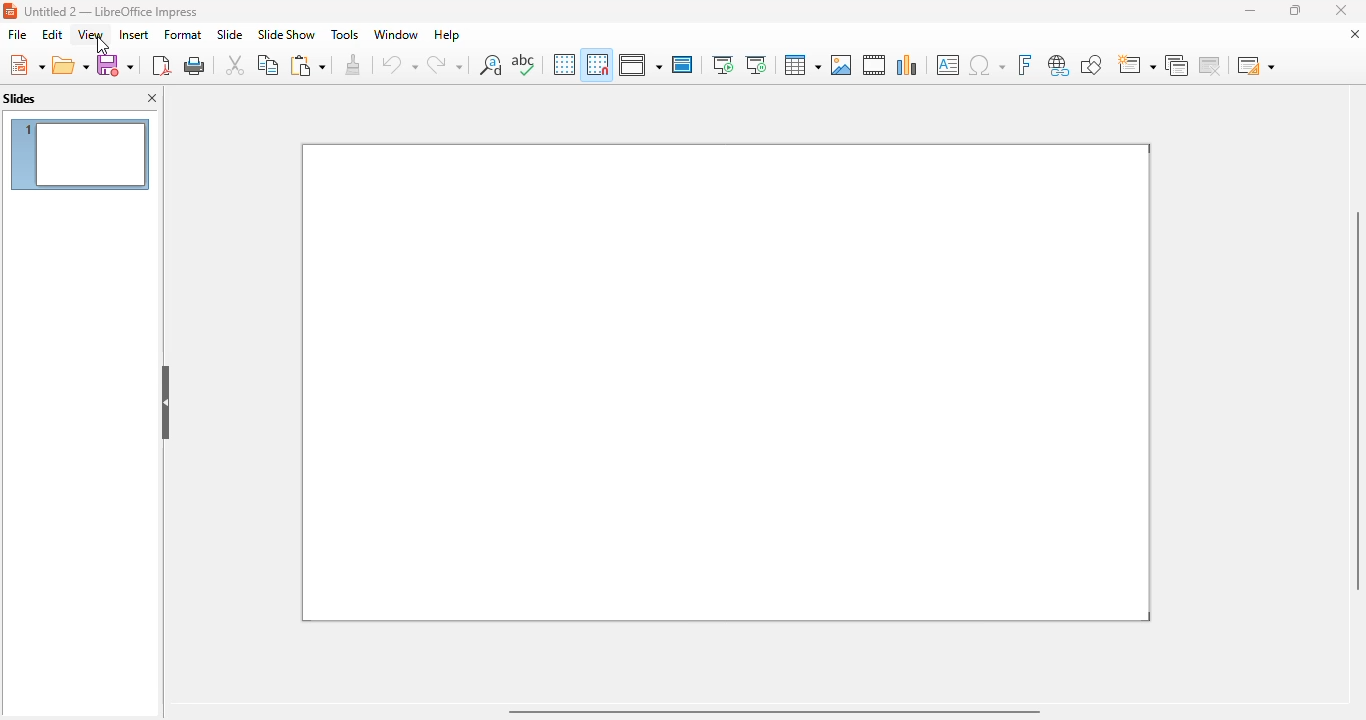 The width and height of the screenshot is (1366, 720). What do you see at coordinates (948, 65) in the screenshot?
I see `insert text box` at bounding box center [948, 65].